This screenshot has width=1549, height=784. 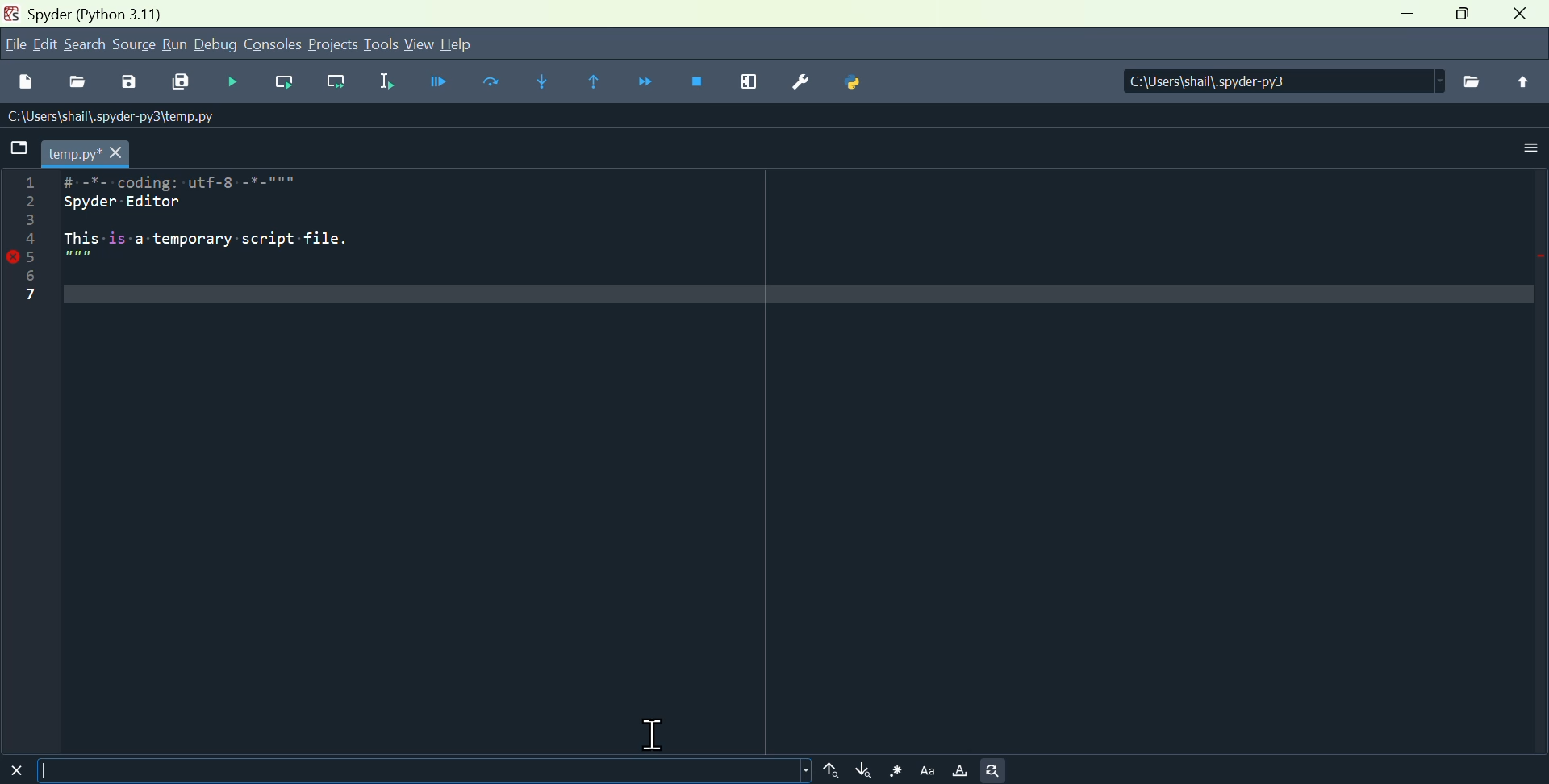 What do you see at coordinates (381, 84) in the screenshot?
I see `Run selection` at bounding box center [381, 84].